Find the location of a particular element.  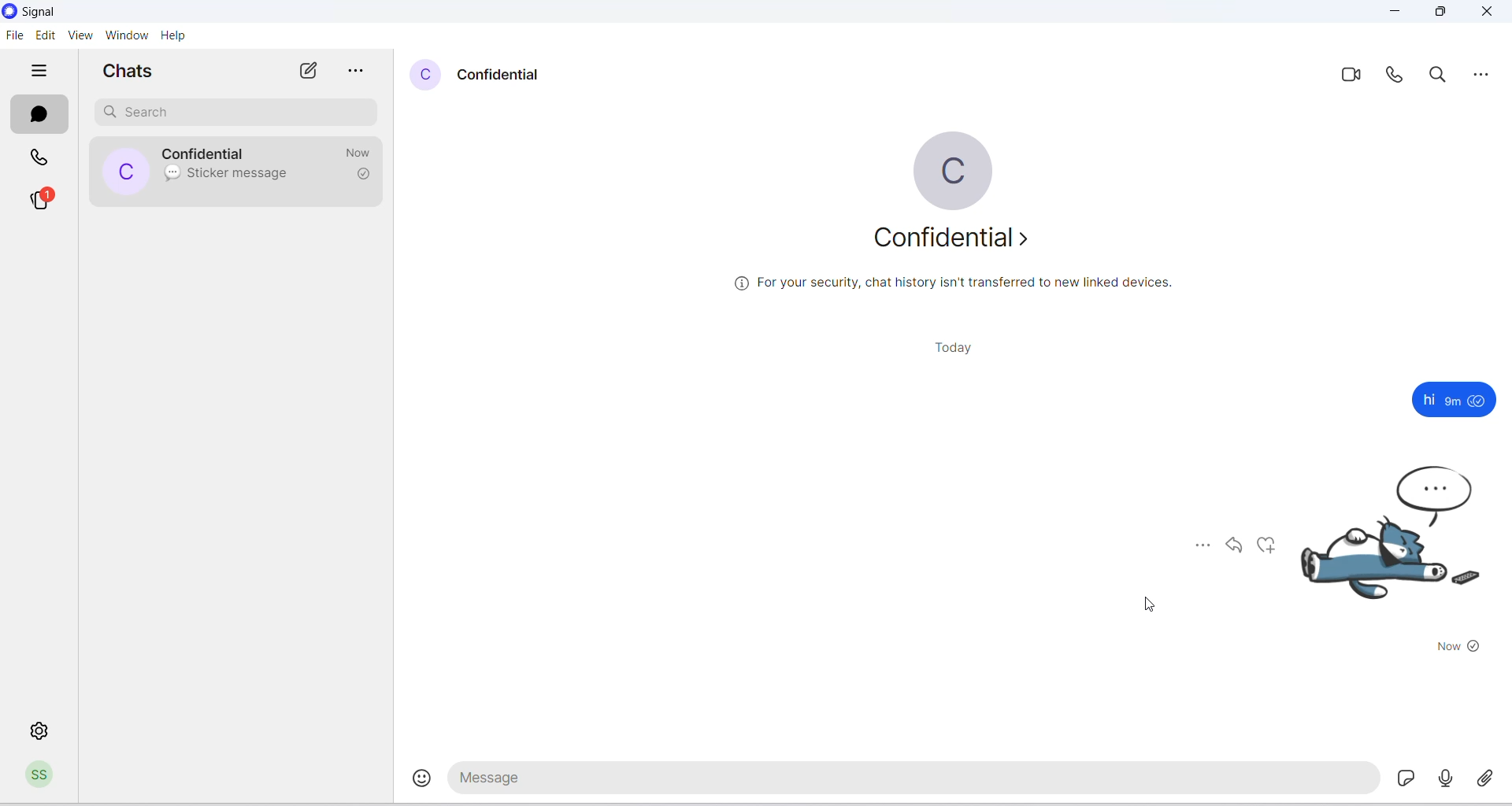

voice note is located at coordinates (1447, 778).